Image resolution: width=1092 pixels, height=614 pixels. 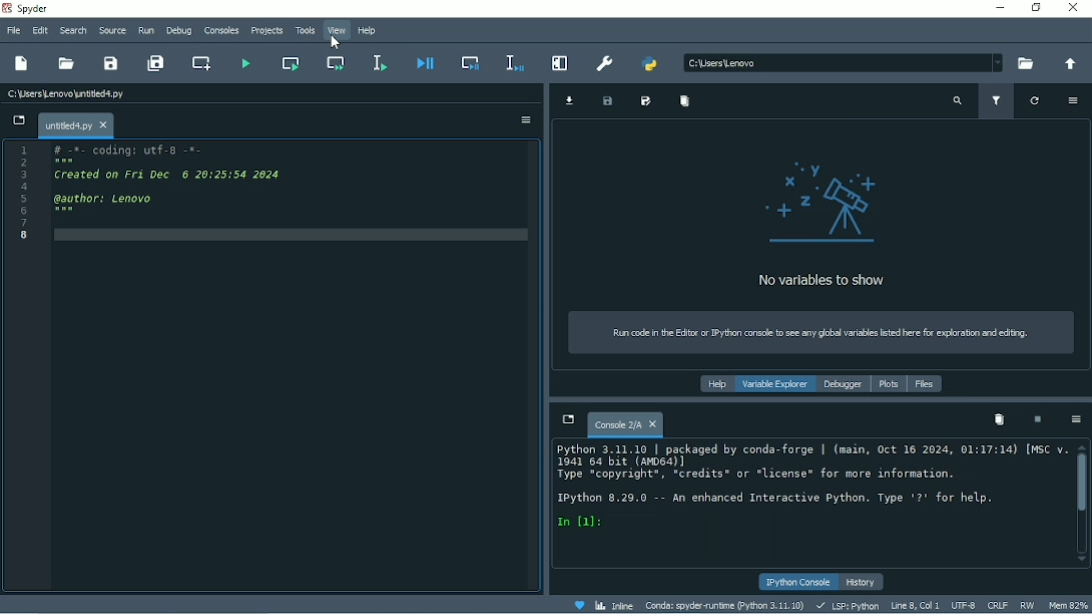 I want to click on Run, so click(x=147, y=30).